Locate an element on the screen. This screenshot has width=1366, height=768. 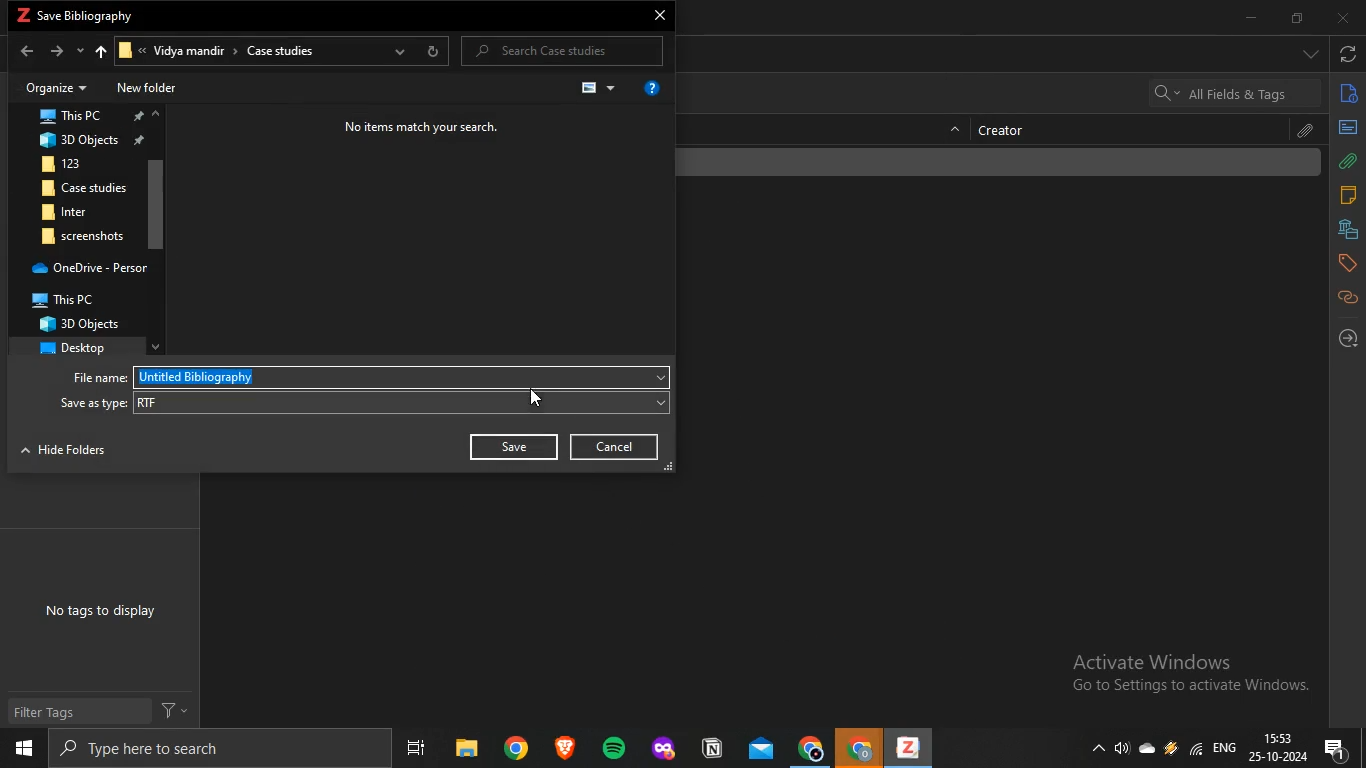
abstract is located at coordinates (1347, 127).